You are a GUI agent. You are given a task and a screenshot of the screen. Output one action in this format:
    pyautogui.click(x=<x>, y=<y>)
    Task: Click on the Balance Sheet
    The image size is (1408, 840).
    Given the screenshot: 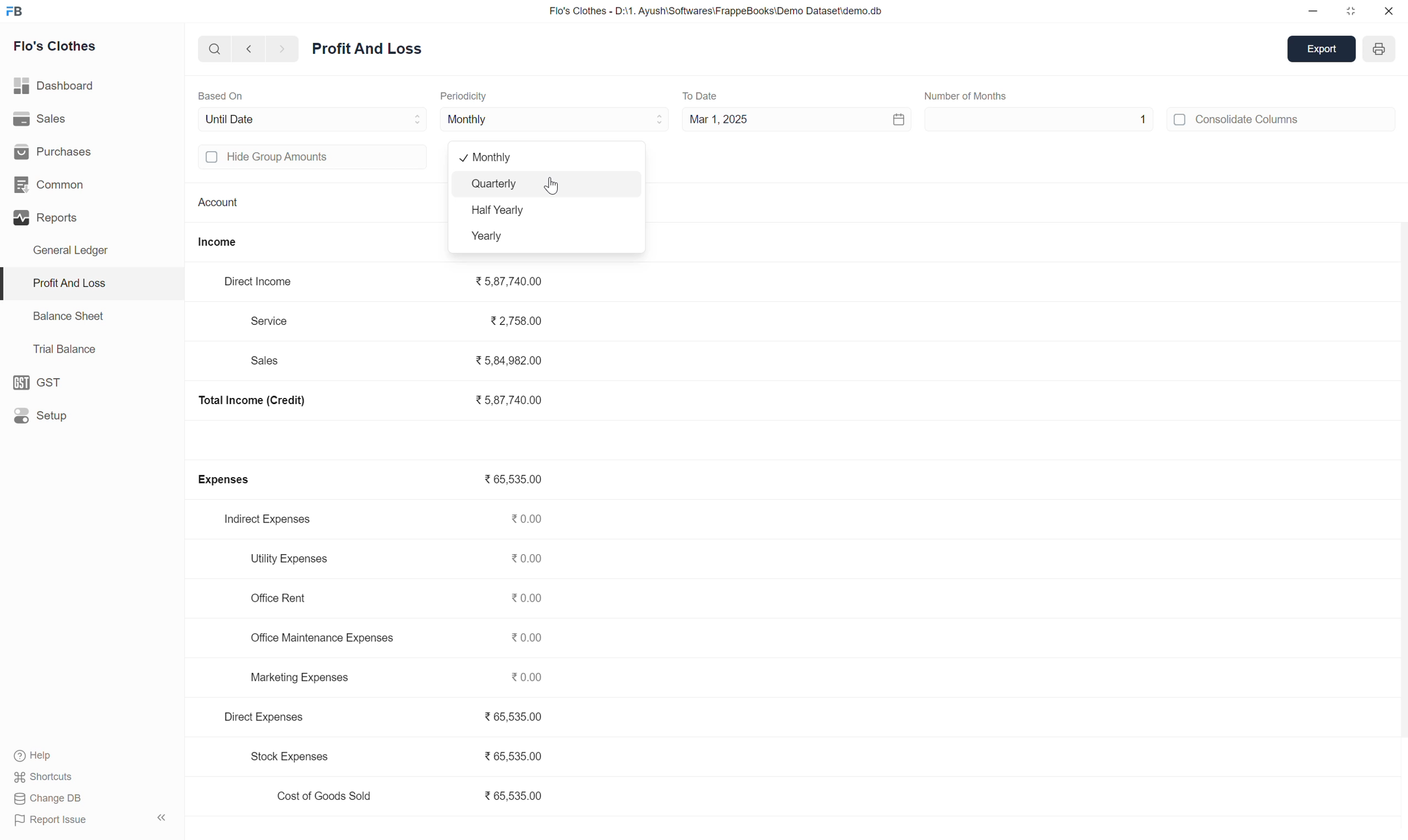 What is the action you would take?
    pyautogui.click(x=62, y=315)
    